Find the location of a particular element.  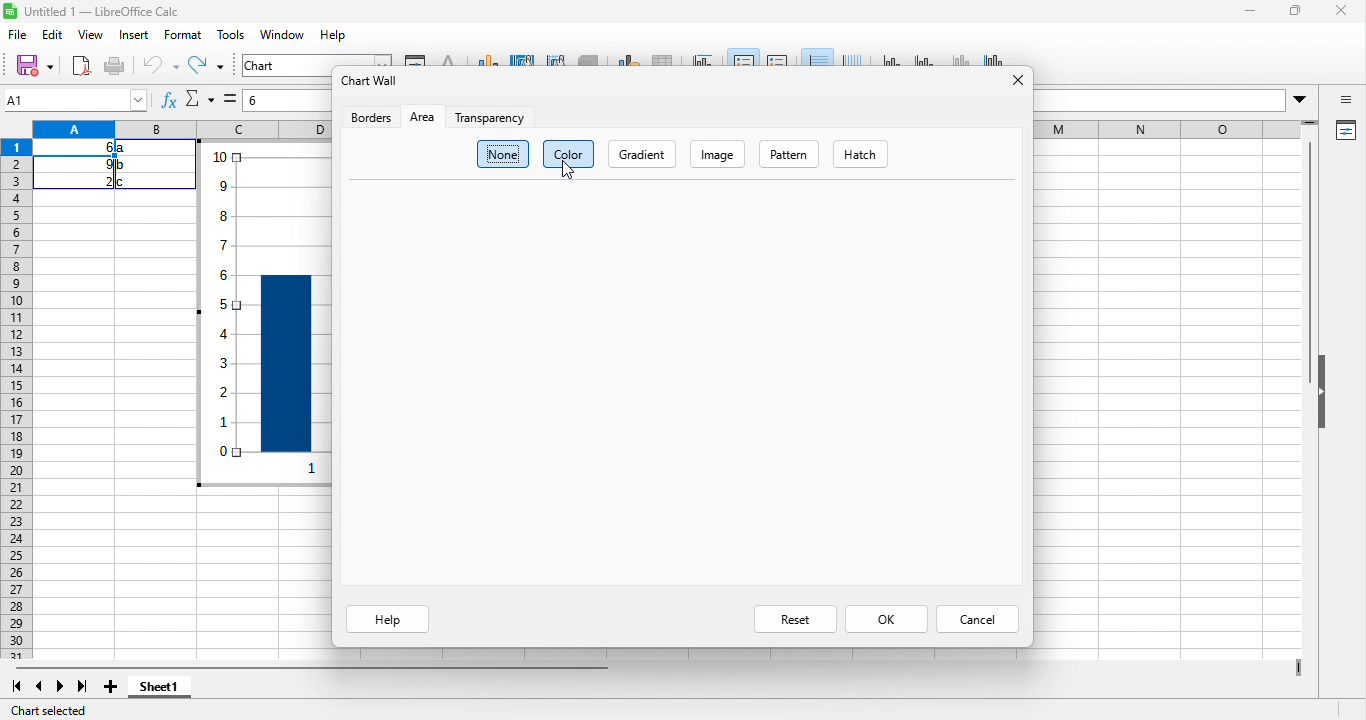

close is located at coordinates (1020, 83).